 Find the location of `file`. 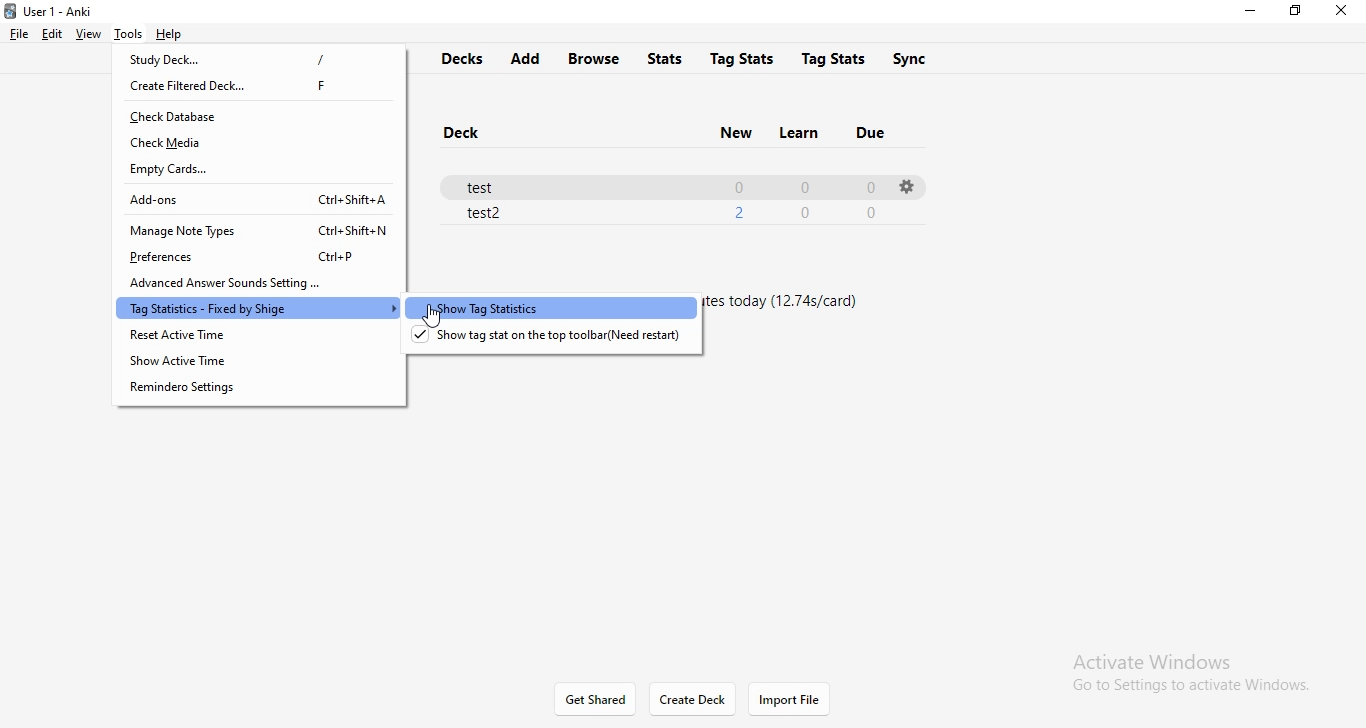

file is located at coordinates (20, 32).